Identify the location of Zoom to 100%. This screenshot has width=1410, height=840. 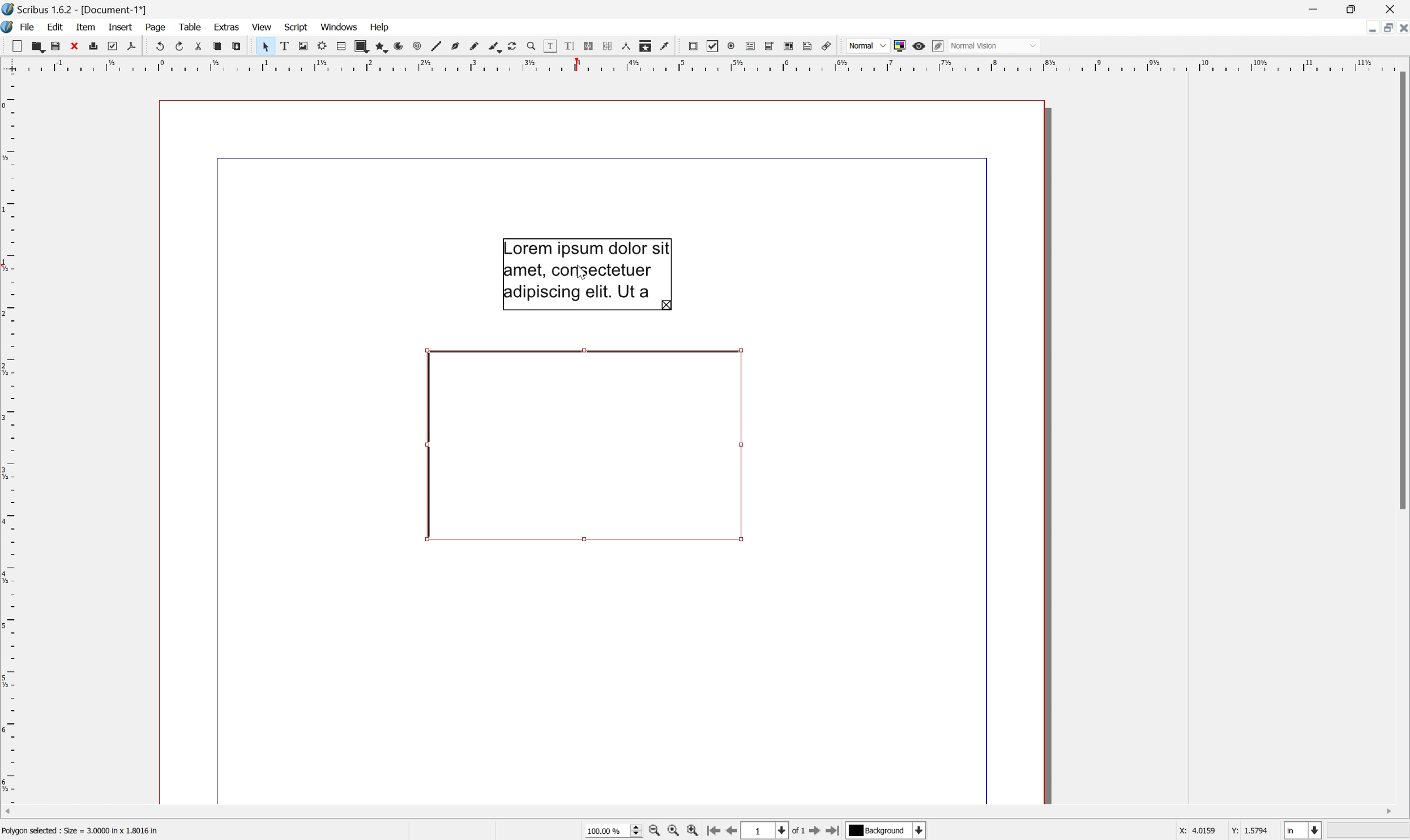
(676, 832).